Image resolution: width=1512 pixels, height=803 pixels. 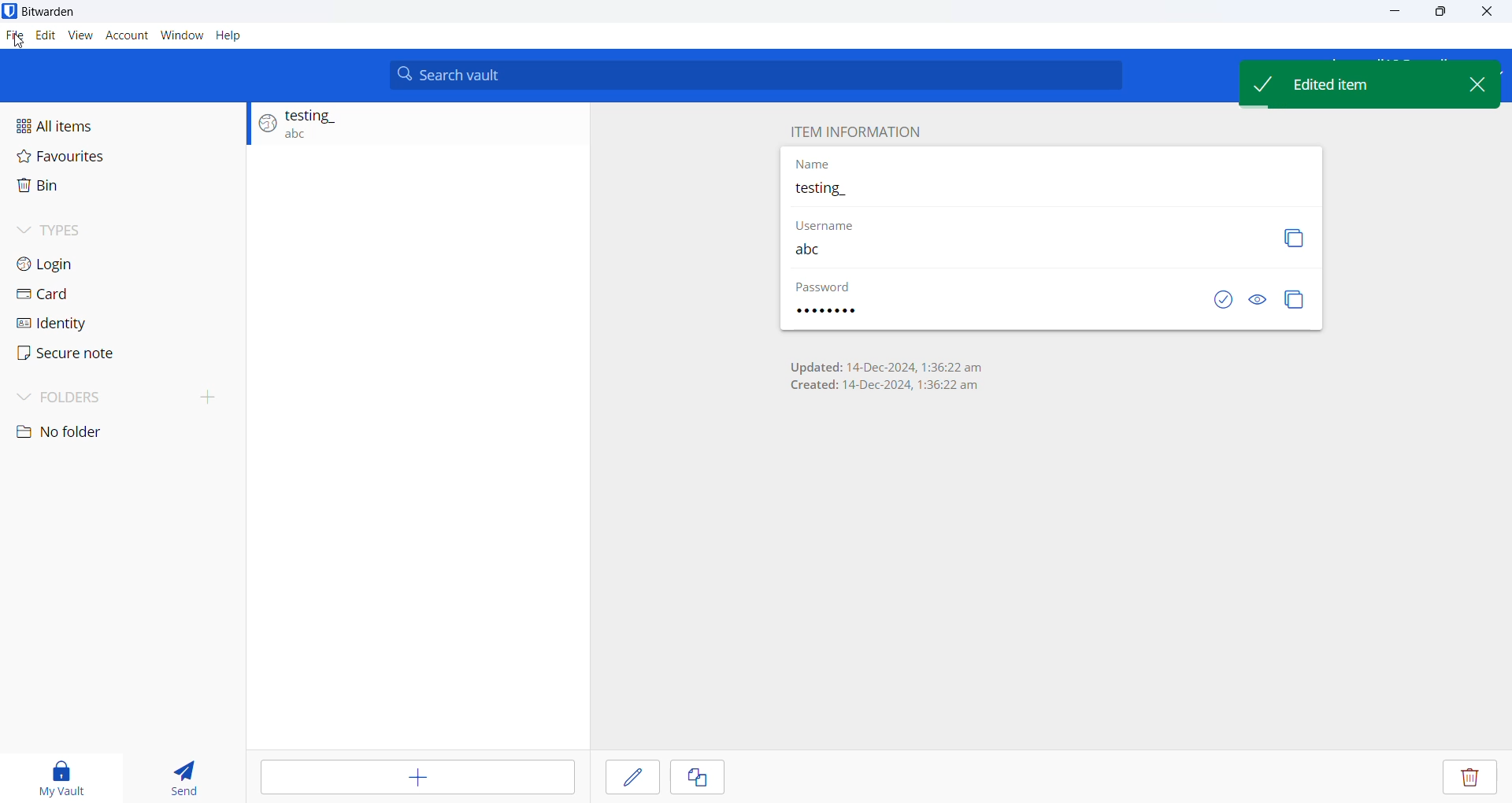 What do you see at coordinates (410, 128) in the screenshot?
I see `Login entry` at bounding box center [410, 128].